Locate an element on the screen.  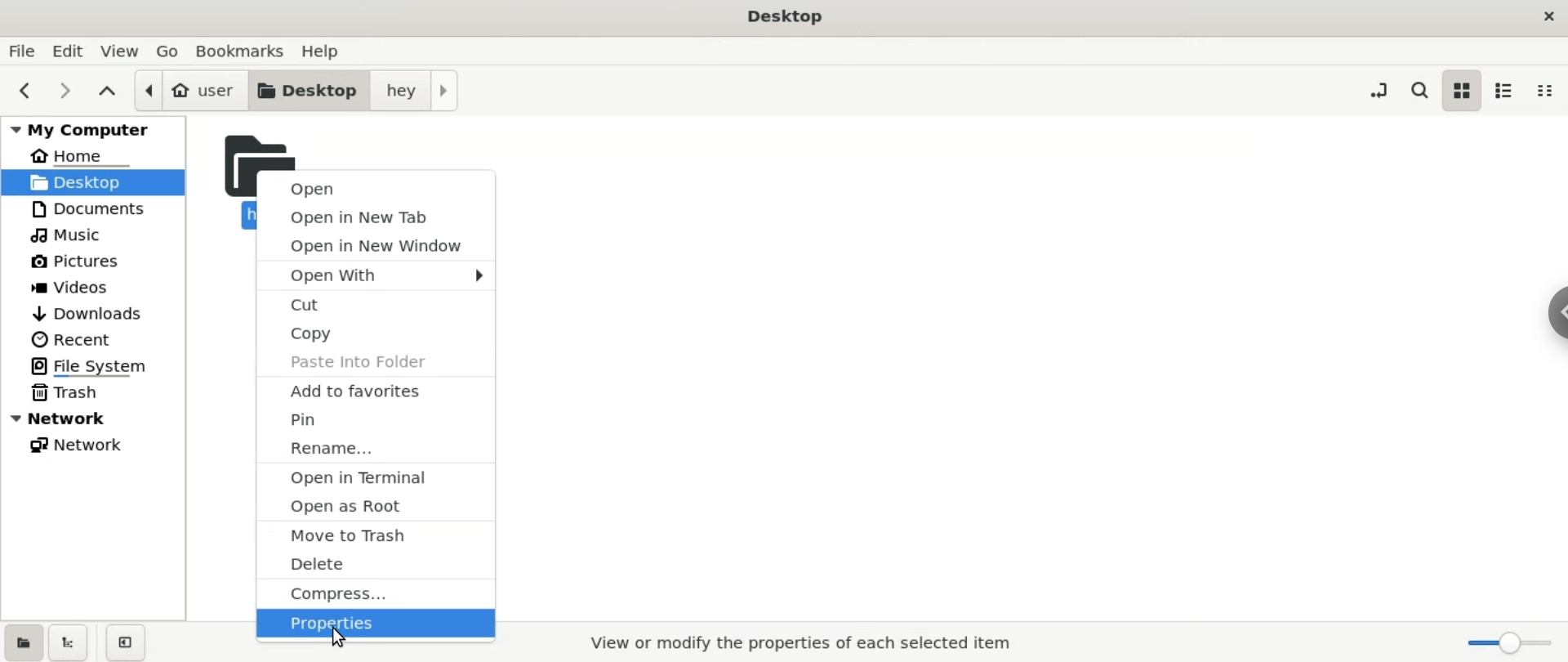
close is located at coordinates (1548, 13).